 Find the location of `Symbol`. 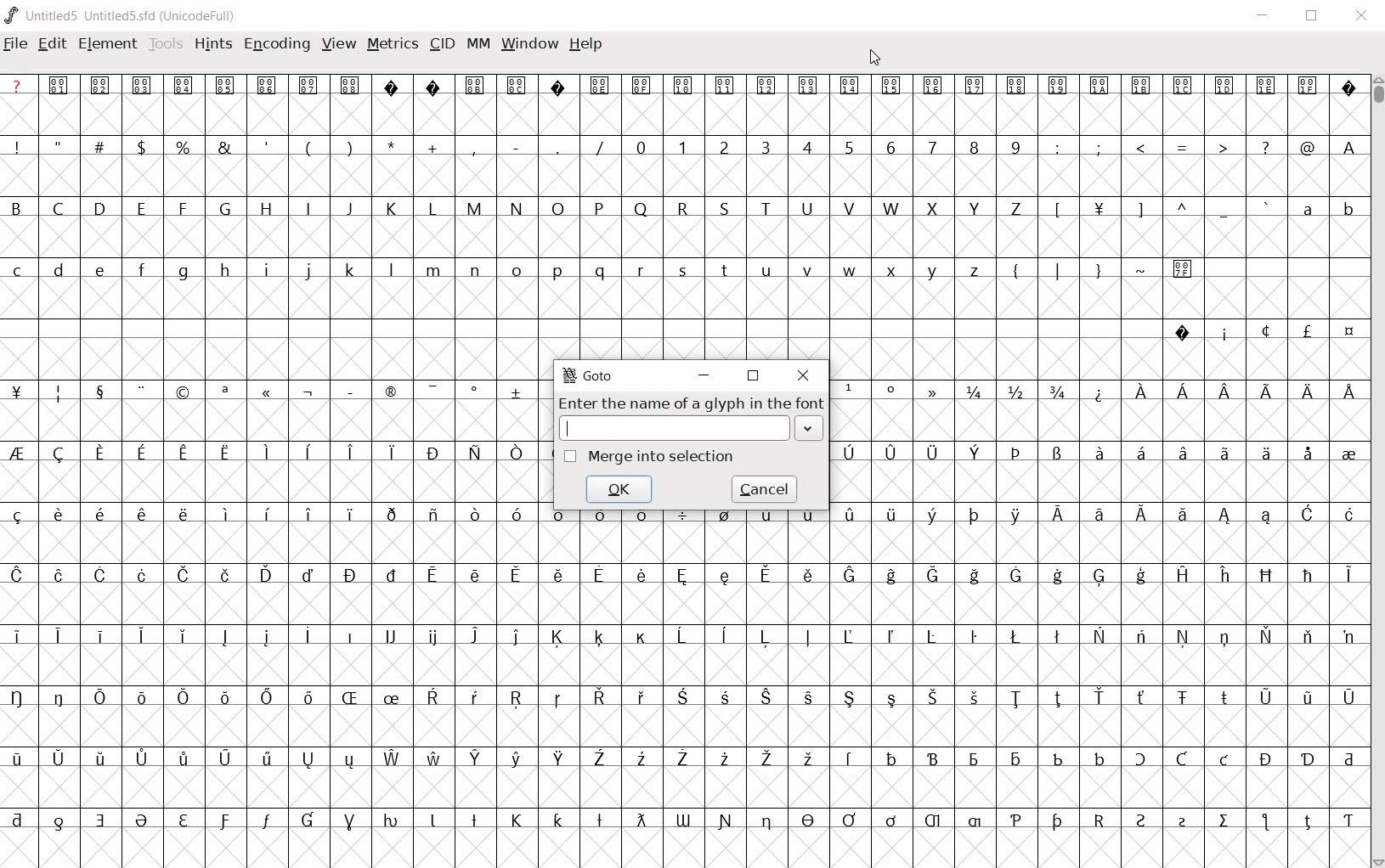

Symbol is located at coordinates (1225, 822).